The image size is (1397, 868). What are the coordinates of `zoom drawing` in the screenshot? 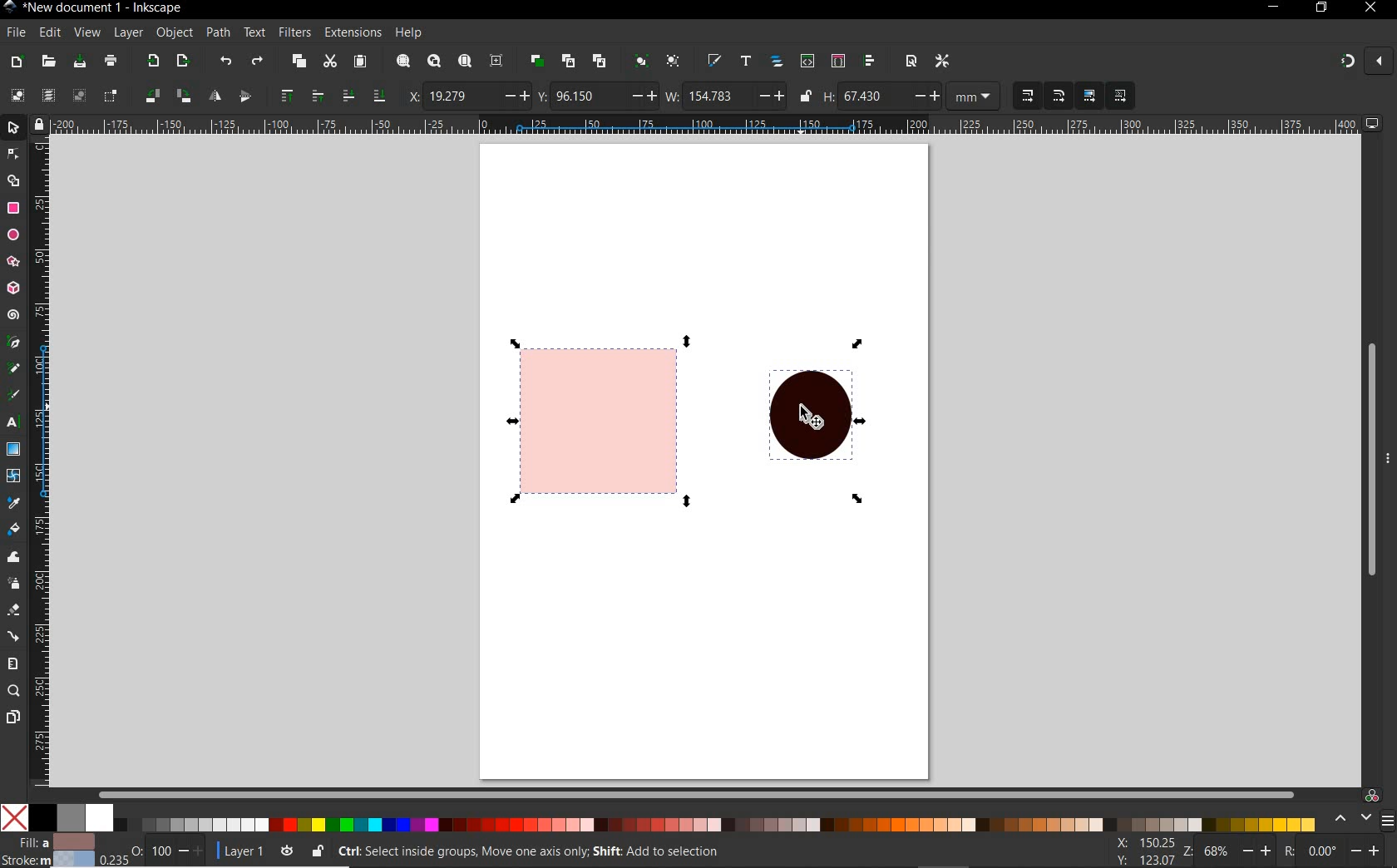 It's located at (435, 61).